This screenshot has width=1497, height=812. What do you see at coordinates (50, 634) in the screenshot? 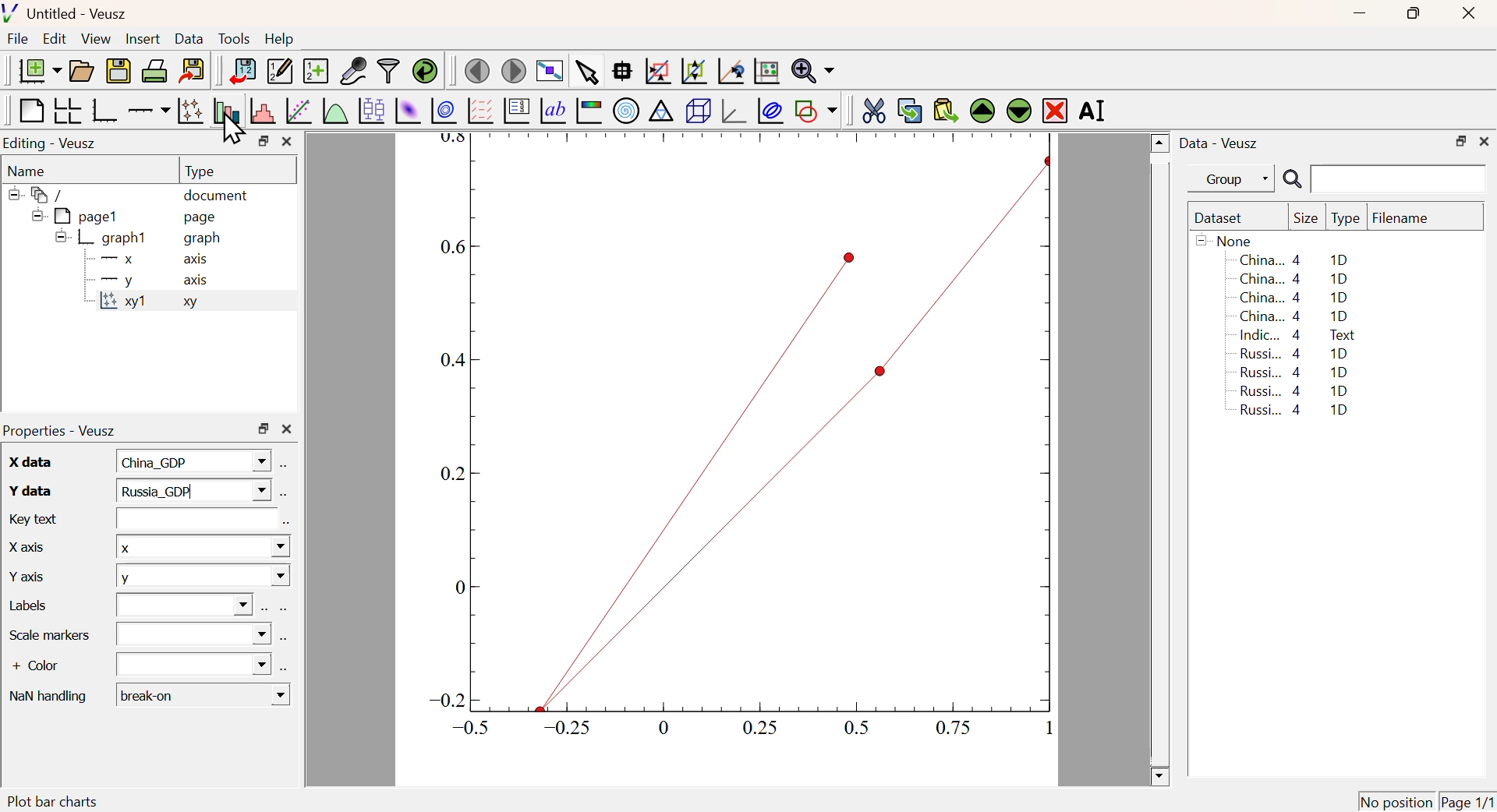
I see `Scale Marker` at bounding box center [50, 634].